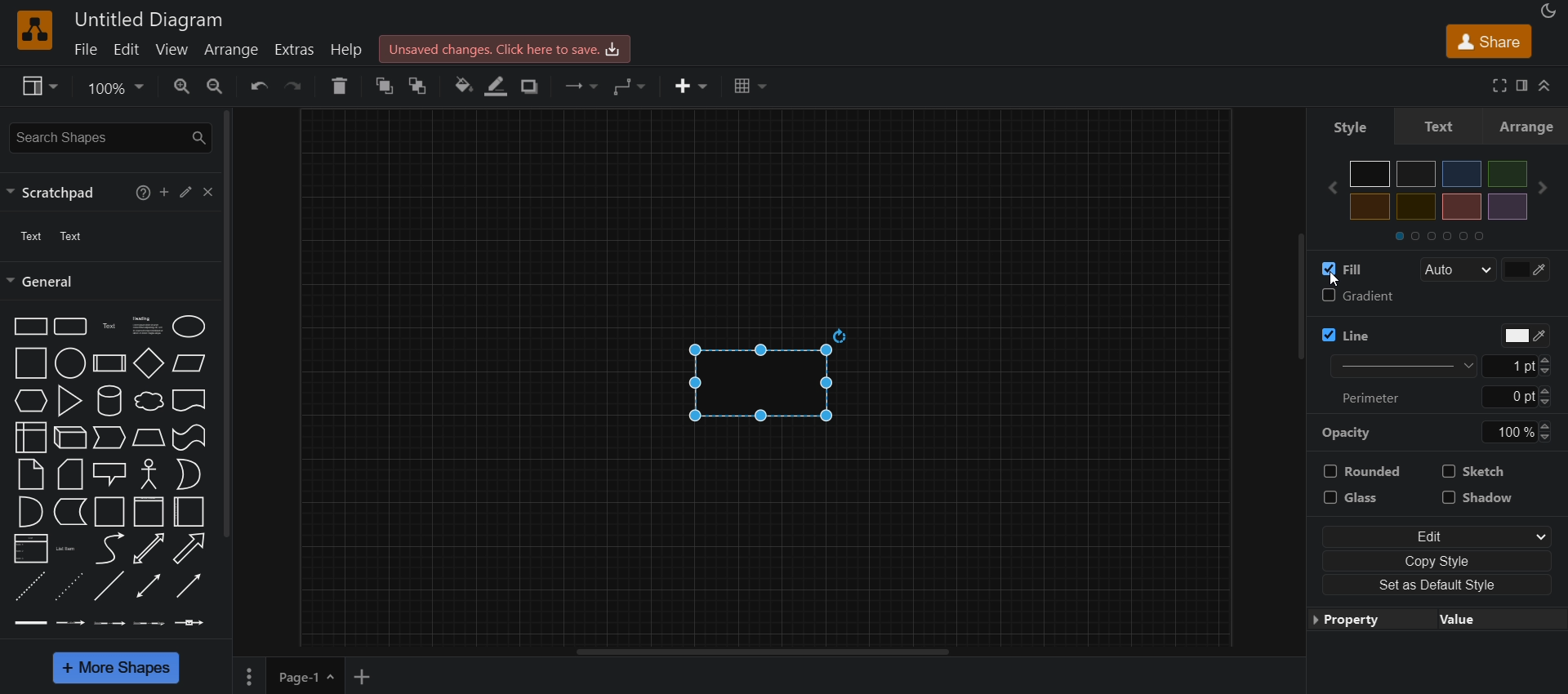 The height and width of the screenshot is (694, 1568). What do you see at coordinates (111, 363) in the screenshot?
I see `process` at bounding box center [111, 363].